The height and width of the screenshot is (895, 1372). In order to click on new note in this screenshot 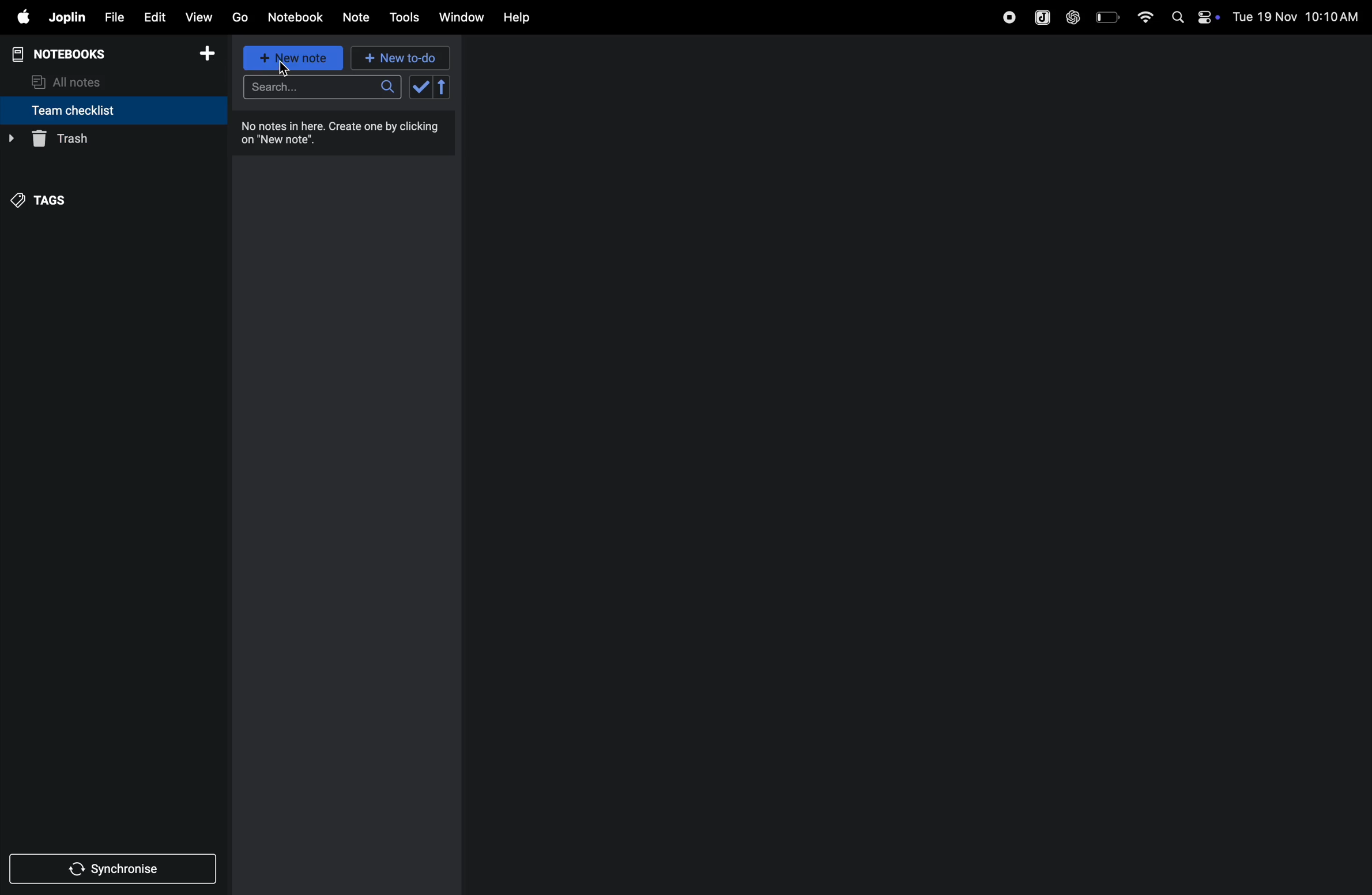, I will do `click(295, 59)`.